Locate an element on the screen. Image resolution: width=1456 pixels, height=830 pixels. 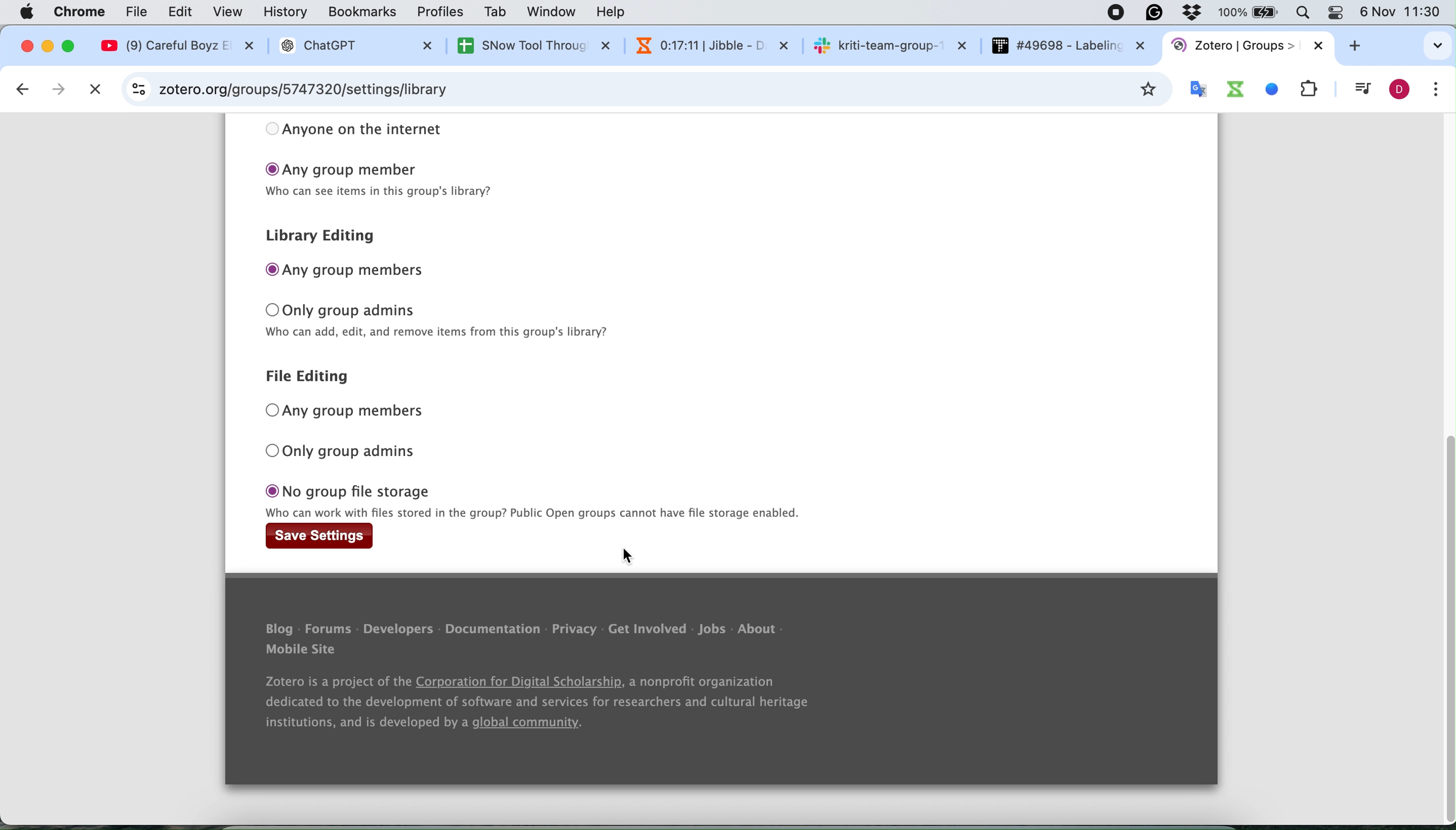
tab name is located at coordinates (1246, 46).